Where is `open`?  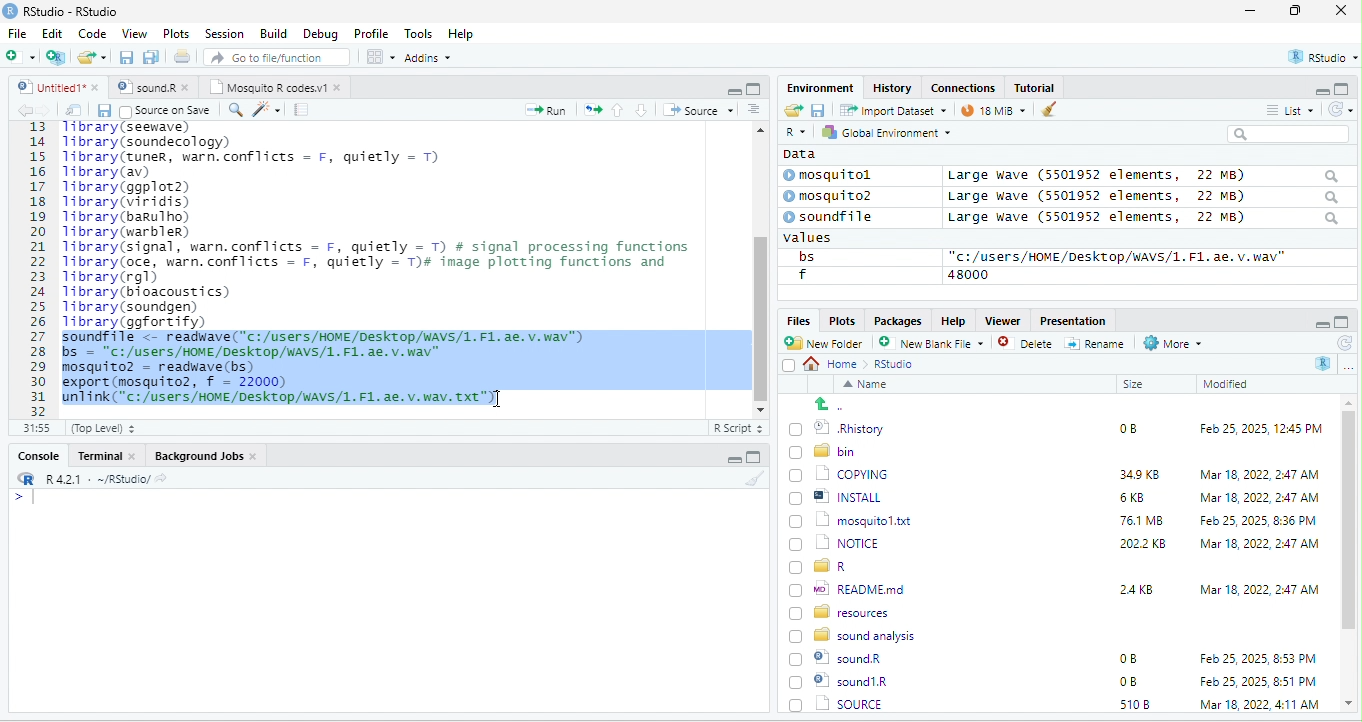
open is located at coordinates (184, 59).